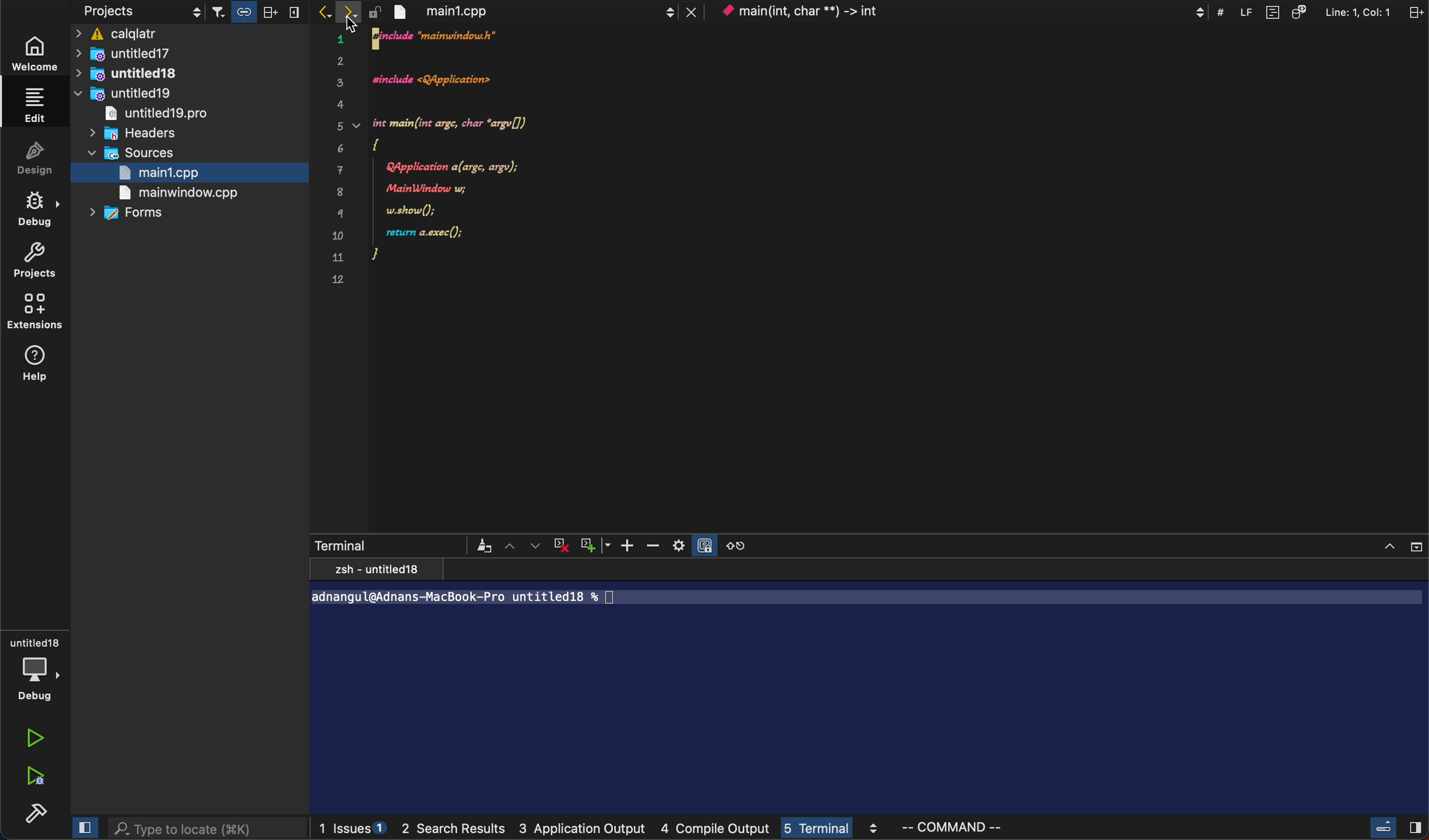 The width and height of the screenshot is (1429, 840). What do you see at coordinates (1388, 545) in the screenshot?
I see `Arrow Up` at bounding box center [1388, 545].